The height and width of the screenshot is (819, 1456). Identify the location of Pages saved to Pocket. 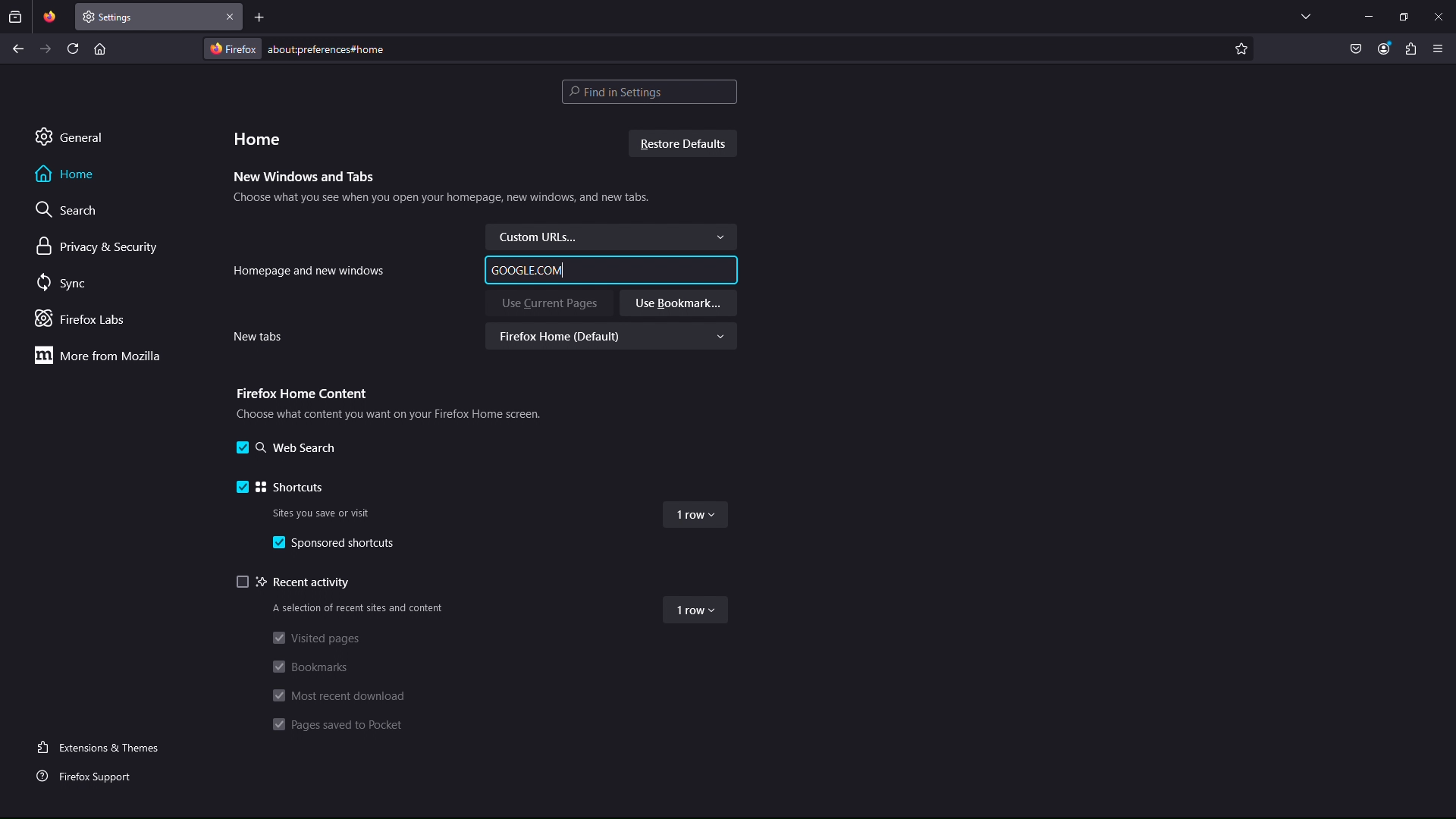
(341, 726).